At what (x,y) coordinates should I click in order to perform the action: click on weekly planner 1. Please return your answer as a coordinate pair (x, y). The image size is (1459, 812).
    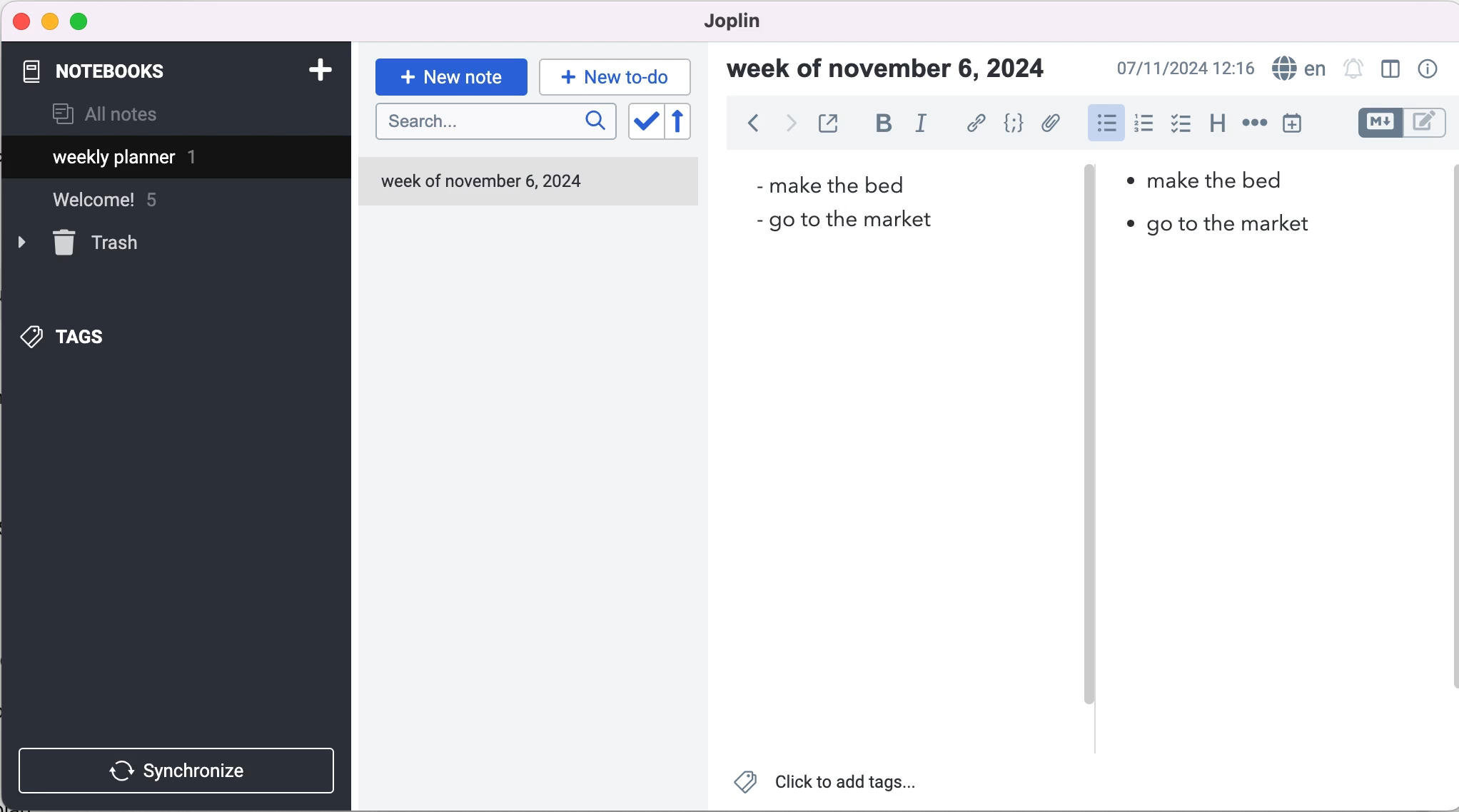
    Looking at the image, I should click on (164, 159).